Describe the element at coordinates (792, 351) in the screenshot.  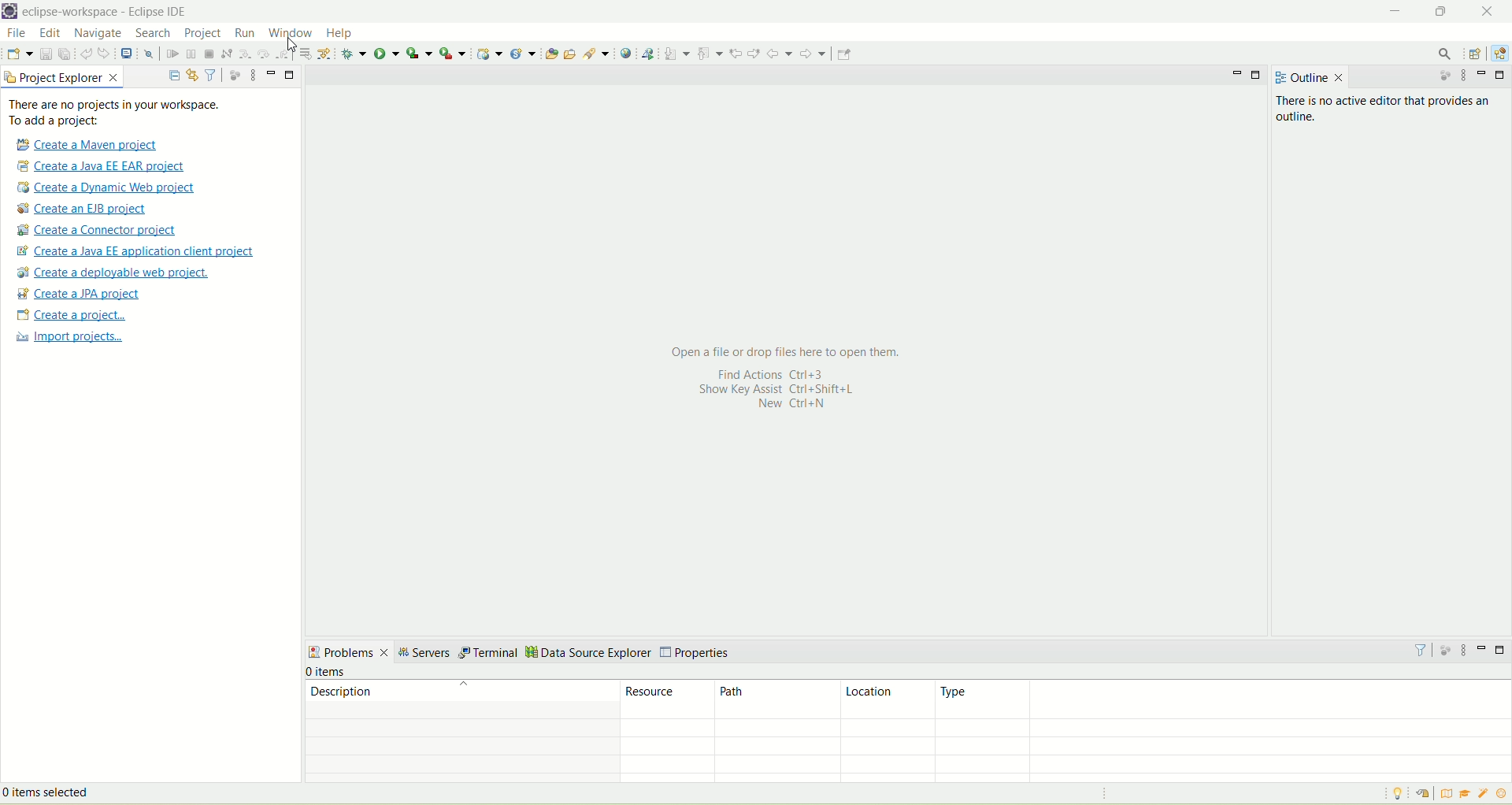
I see `Open a file or drop files here to open them.` at that location.